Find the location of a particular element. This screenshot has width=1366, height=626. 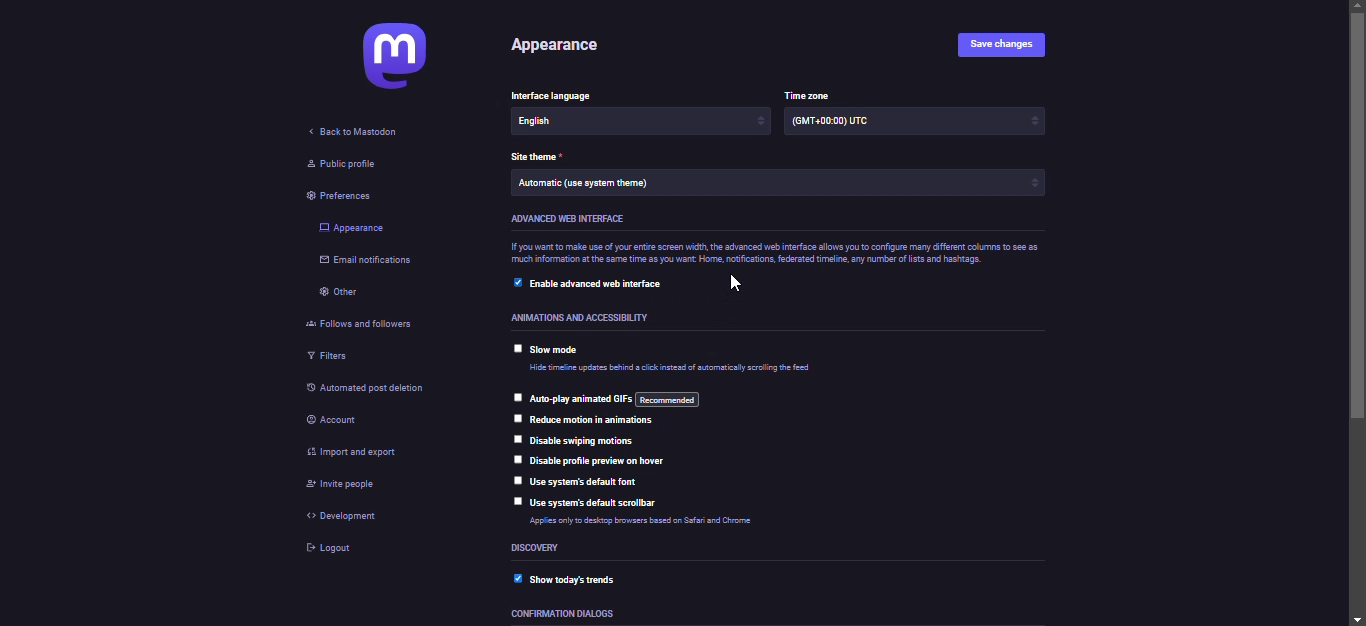

email notifications is located at coordinates (378, 260).